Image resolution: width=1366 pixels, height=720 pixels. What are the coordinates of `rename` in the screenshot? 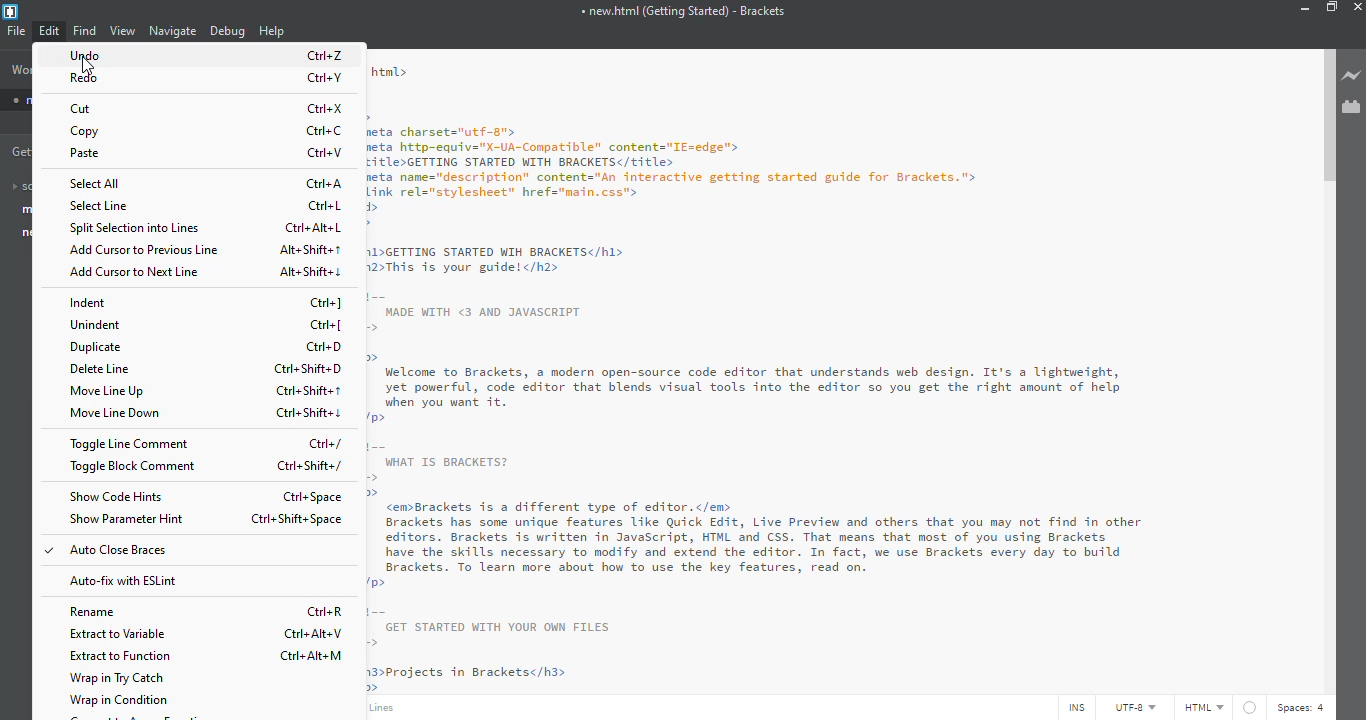 It's located at (96, 613).